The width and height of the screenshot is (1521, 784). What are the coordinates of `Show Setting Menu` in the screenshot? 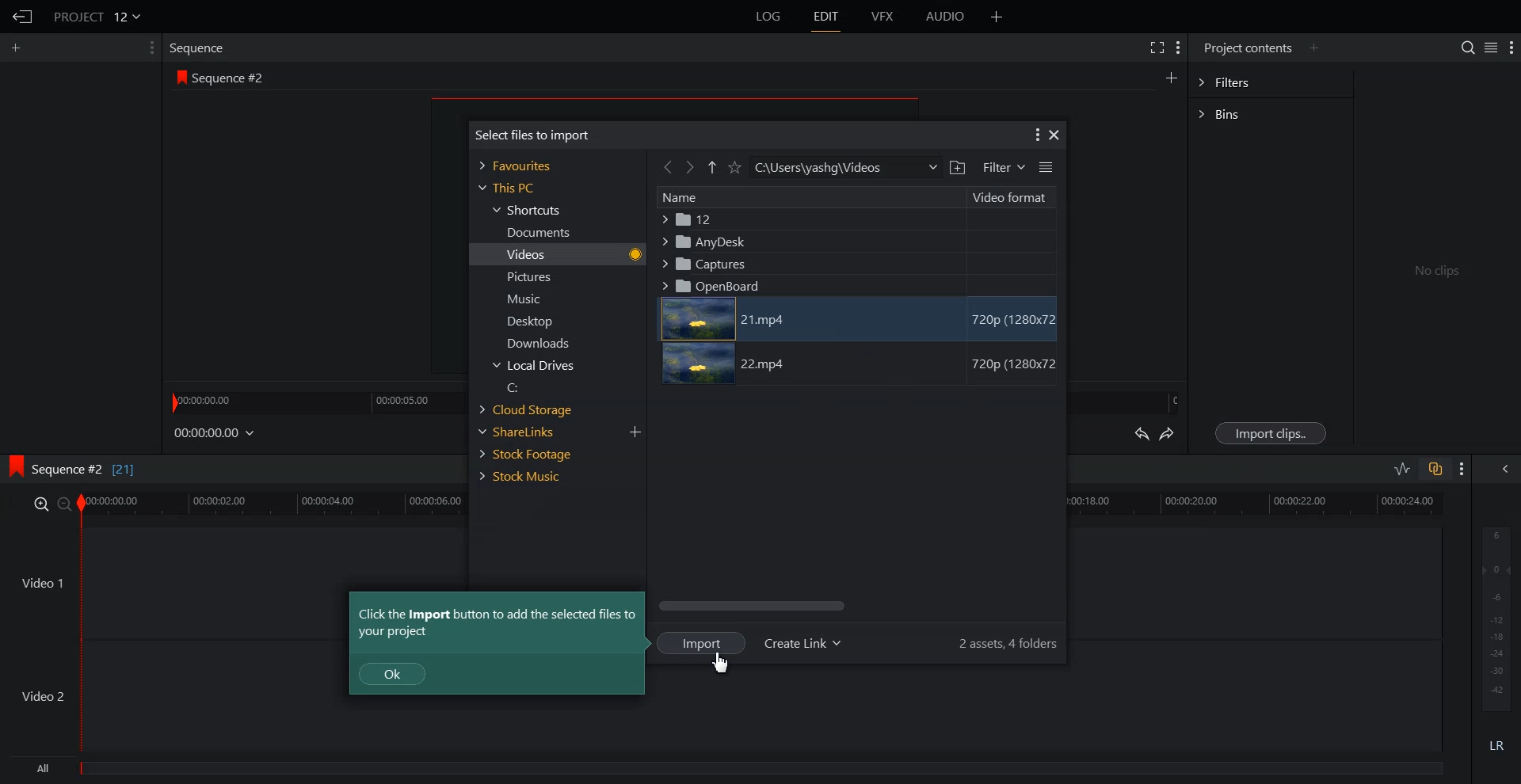 It's located at (1511, 48).